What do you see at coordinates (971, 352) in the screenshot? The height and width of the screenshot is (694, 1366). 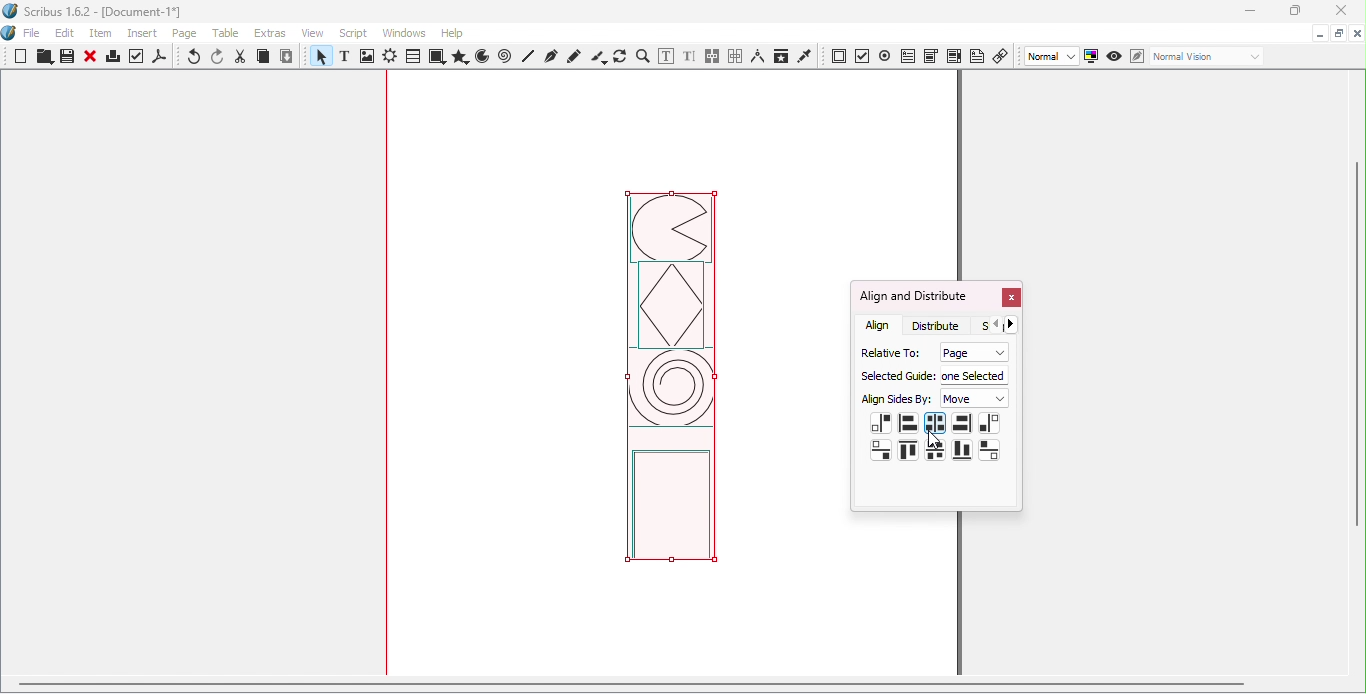 I see `Page` at bounding box center [971, 352].